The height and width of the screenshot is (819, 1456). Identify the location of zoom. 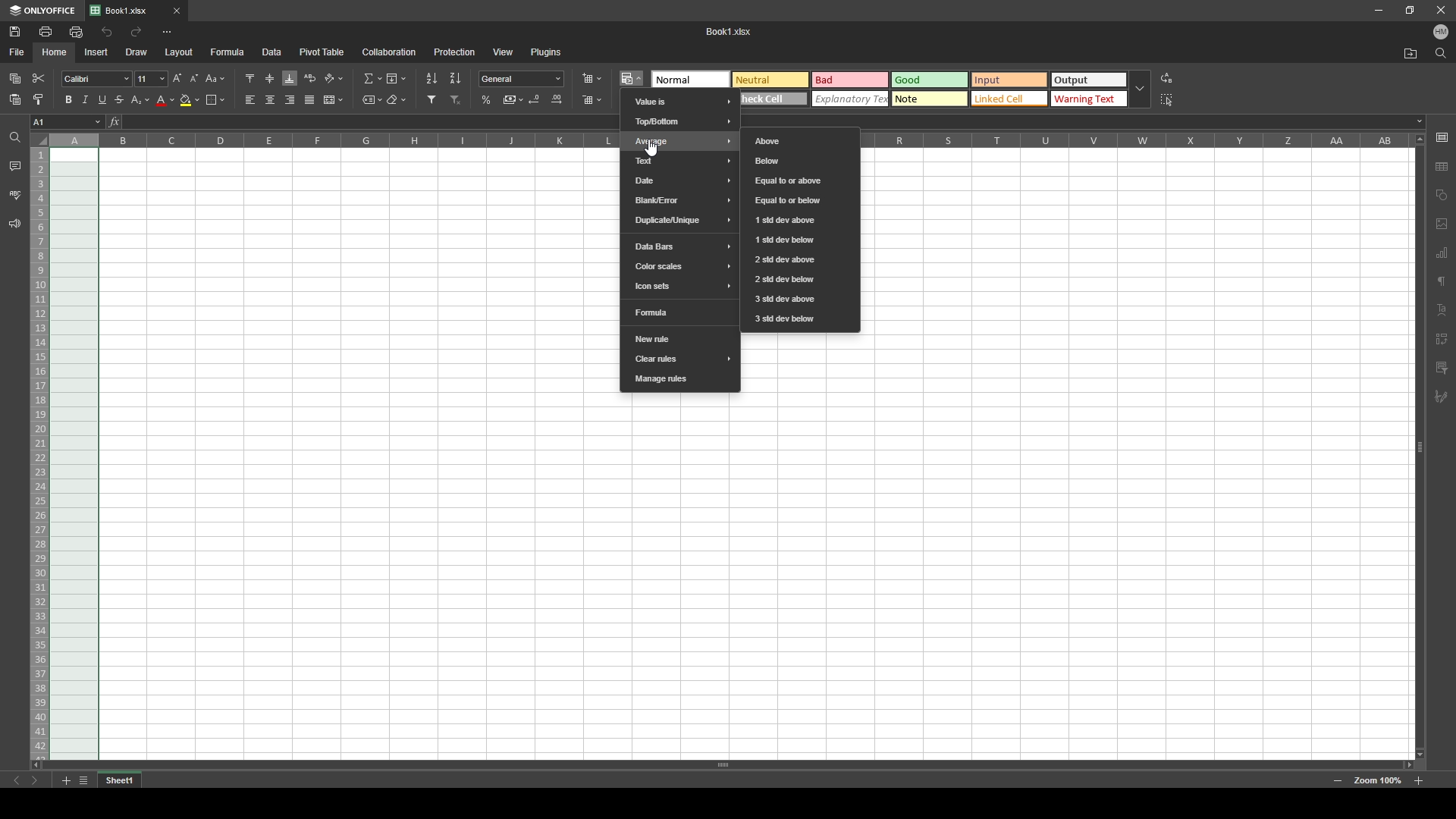
(1378, 781).